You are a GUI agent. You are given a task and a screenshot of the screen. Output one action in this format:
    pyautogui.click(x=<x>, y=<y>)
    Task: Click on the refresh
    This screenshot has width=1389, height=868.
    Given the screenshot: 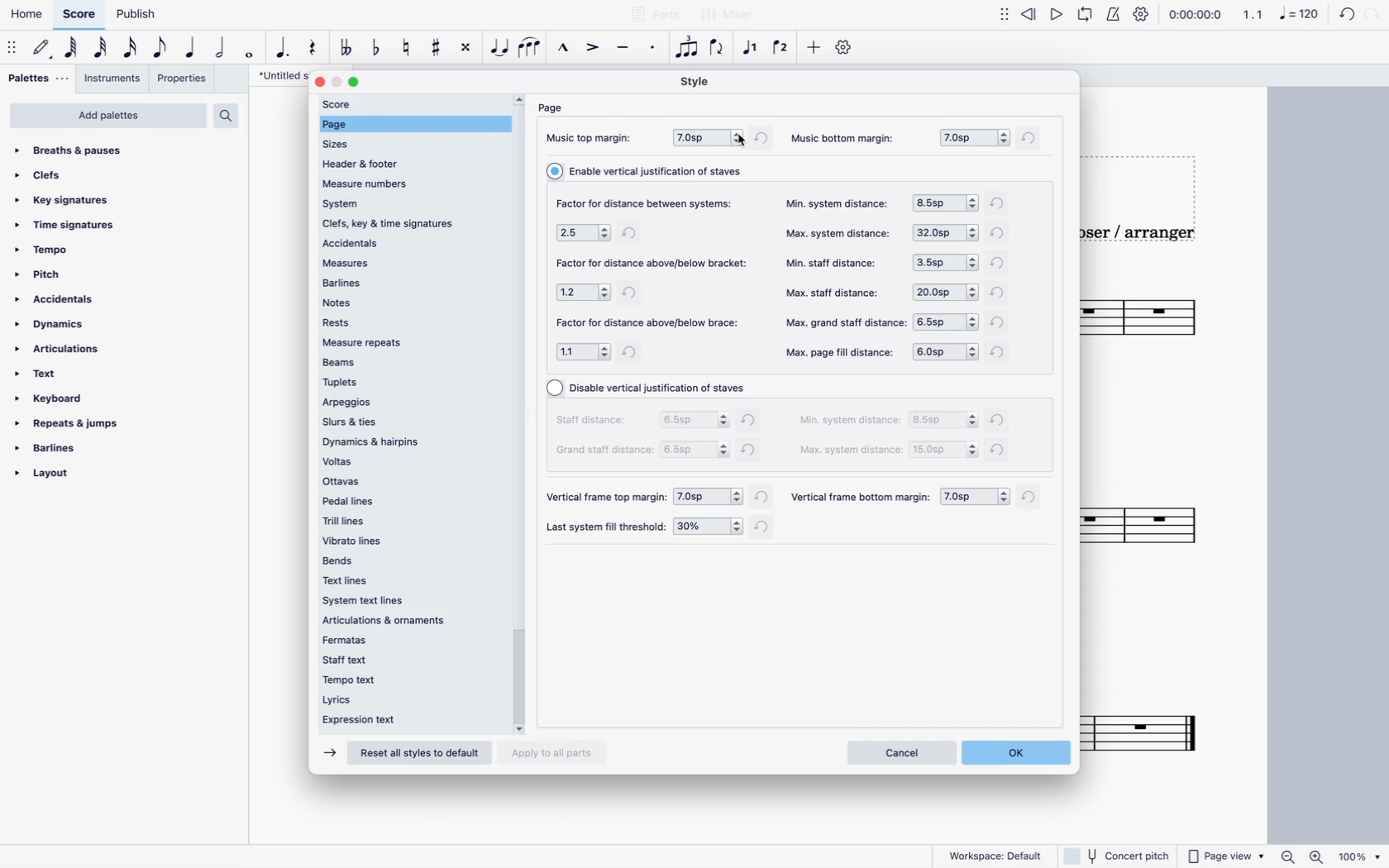 What is the action you would take?
    pyautogui.click(x=1001, y=202)
    